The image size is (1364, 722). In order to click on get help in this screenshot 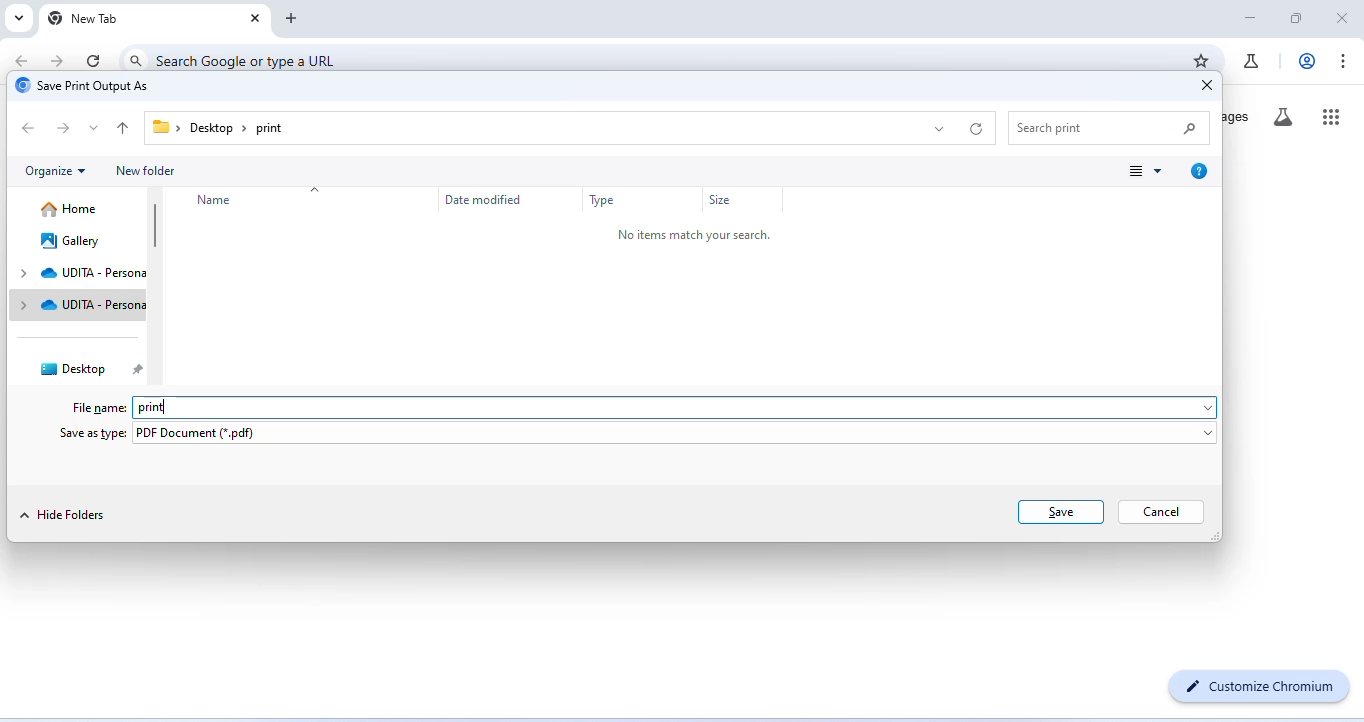, I will do `click(1199, 170)`.